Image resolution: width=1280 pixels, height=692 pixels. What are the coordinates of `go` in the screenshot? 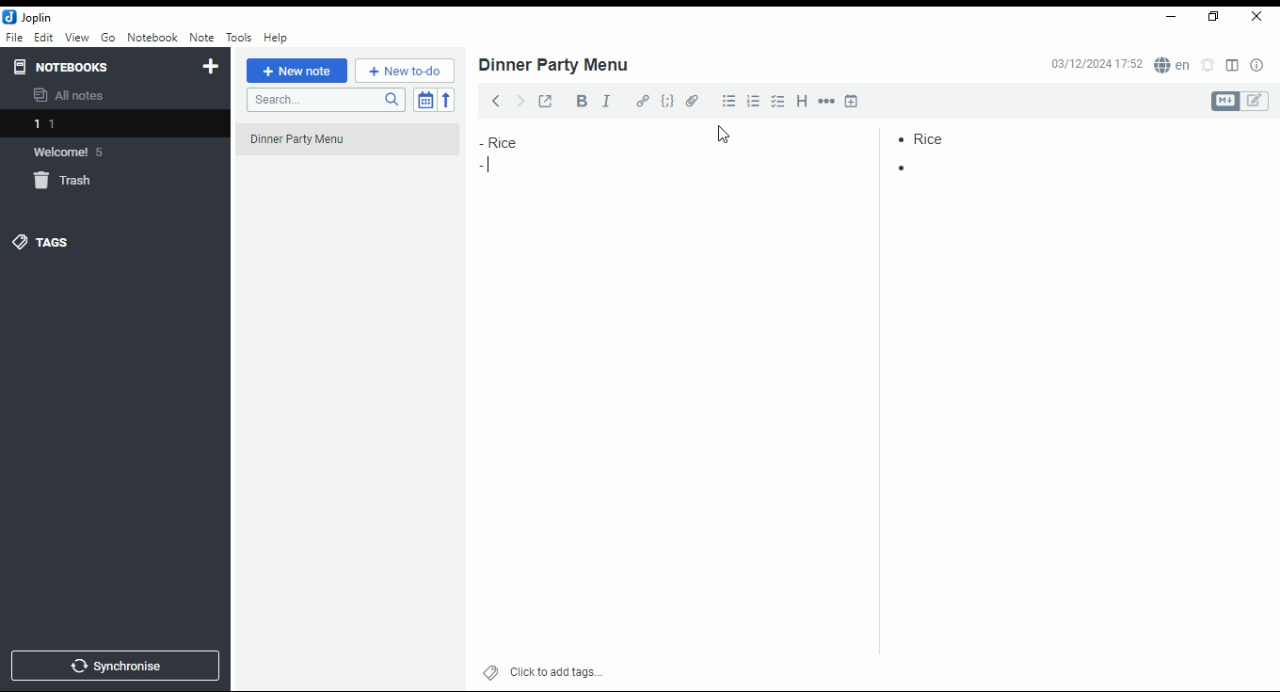 It's located at (108, 38).